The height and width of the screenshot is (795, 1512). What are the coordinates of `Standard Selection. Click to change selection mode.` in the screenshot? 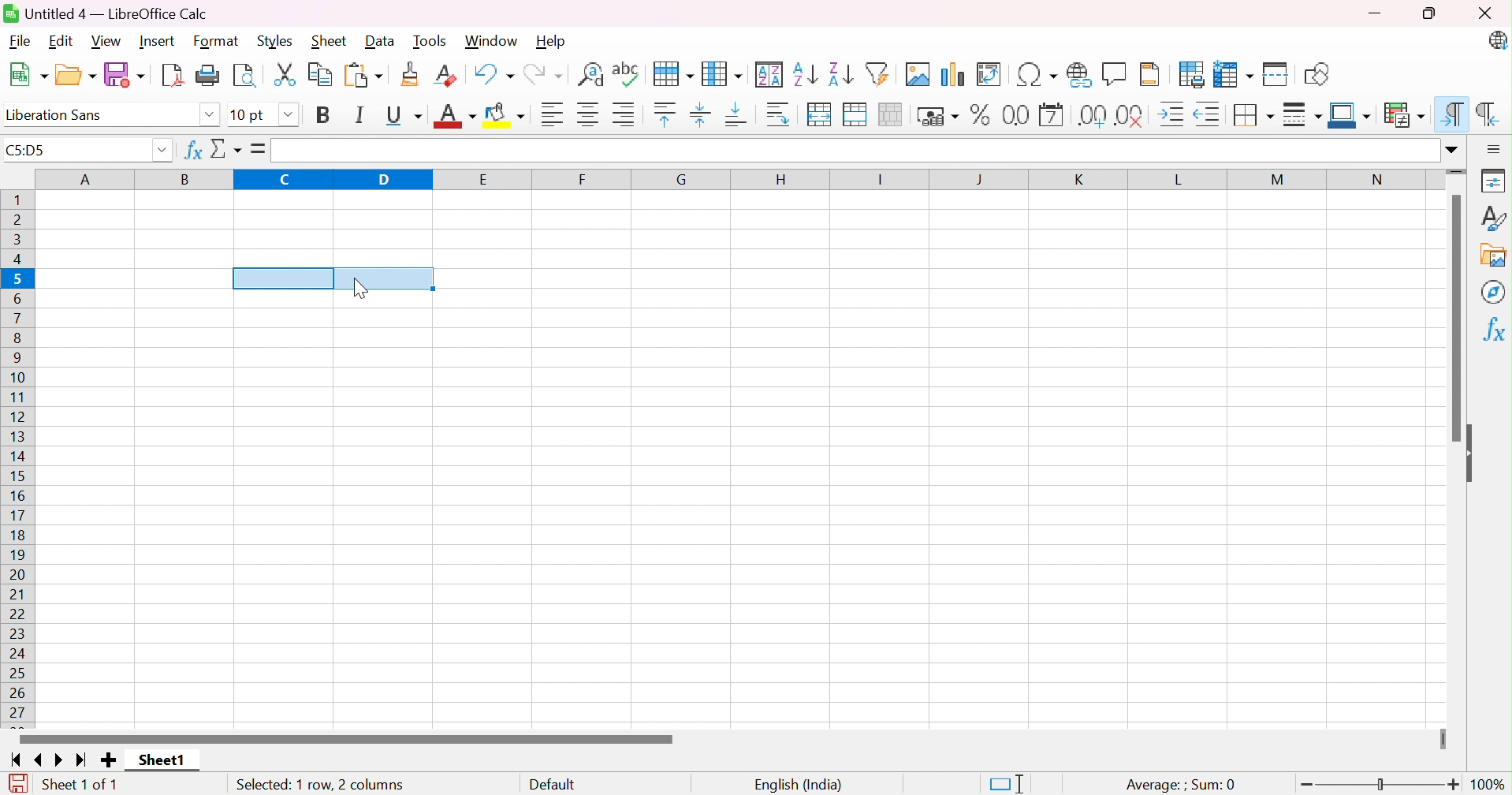 It's located at (1005, 782).